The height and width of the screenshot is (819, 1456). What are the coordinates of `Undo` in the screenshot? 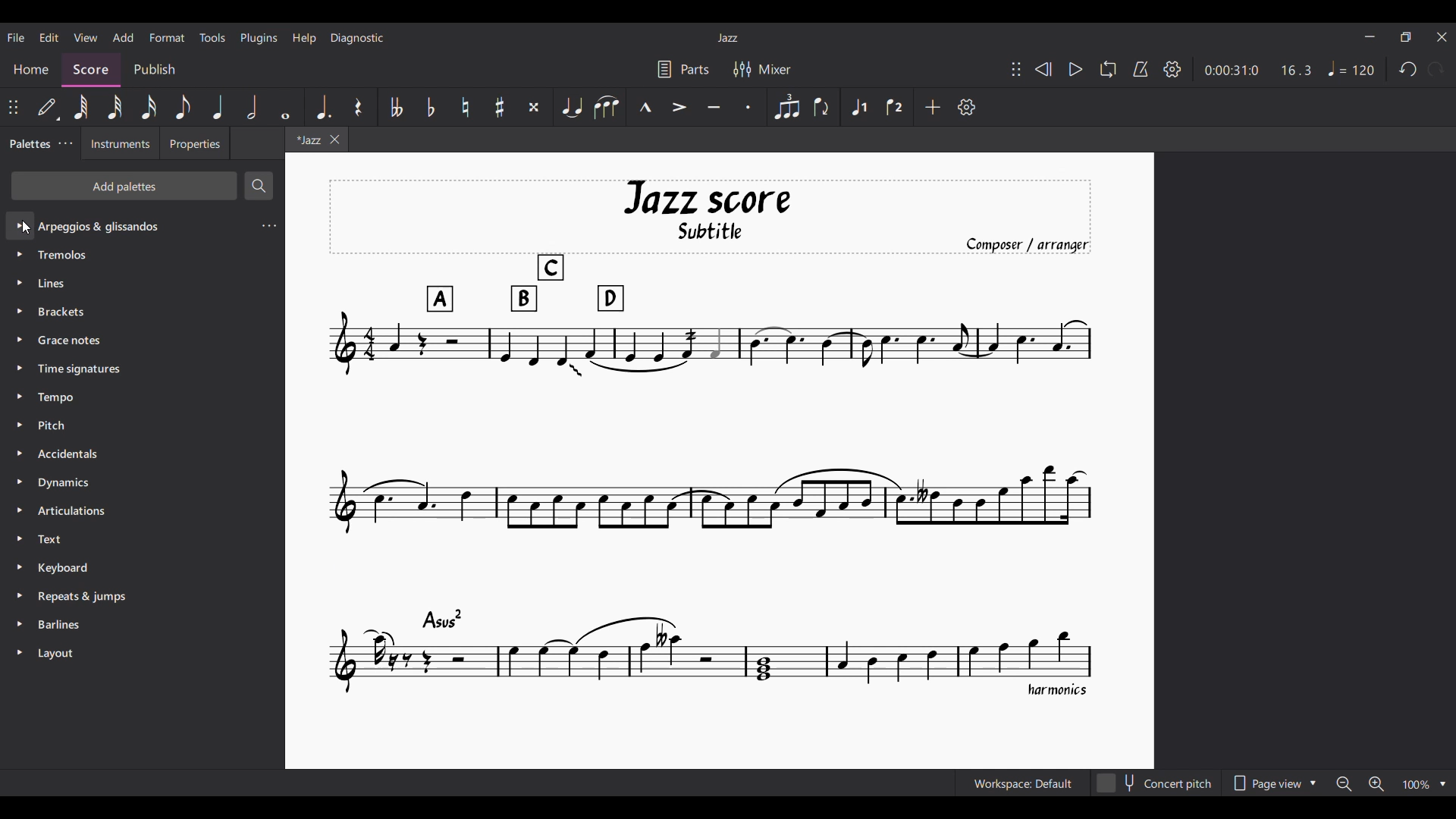 It's located at (1408, 69).